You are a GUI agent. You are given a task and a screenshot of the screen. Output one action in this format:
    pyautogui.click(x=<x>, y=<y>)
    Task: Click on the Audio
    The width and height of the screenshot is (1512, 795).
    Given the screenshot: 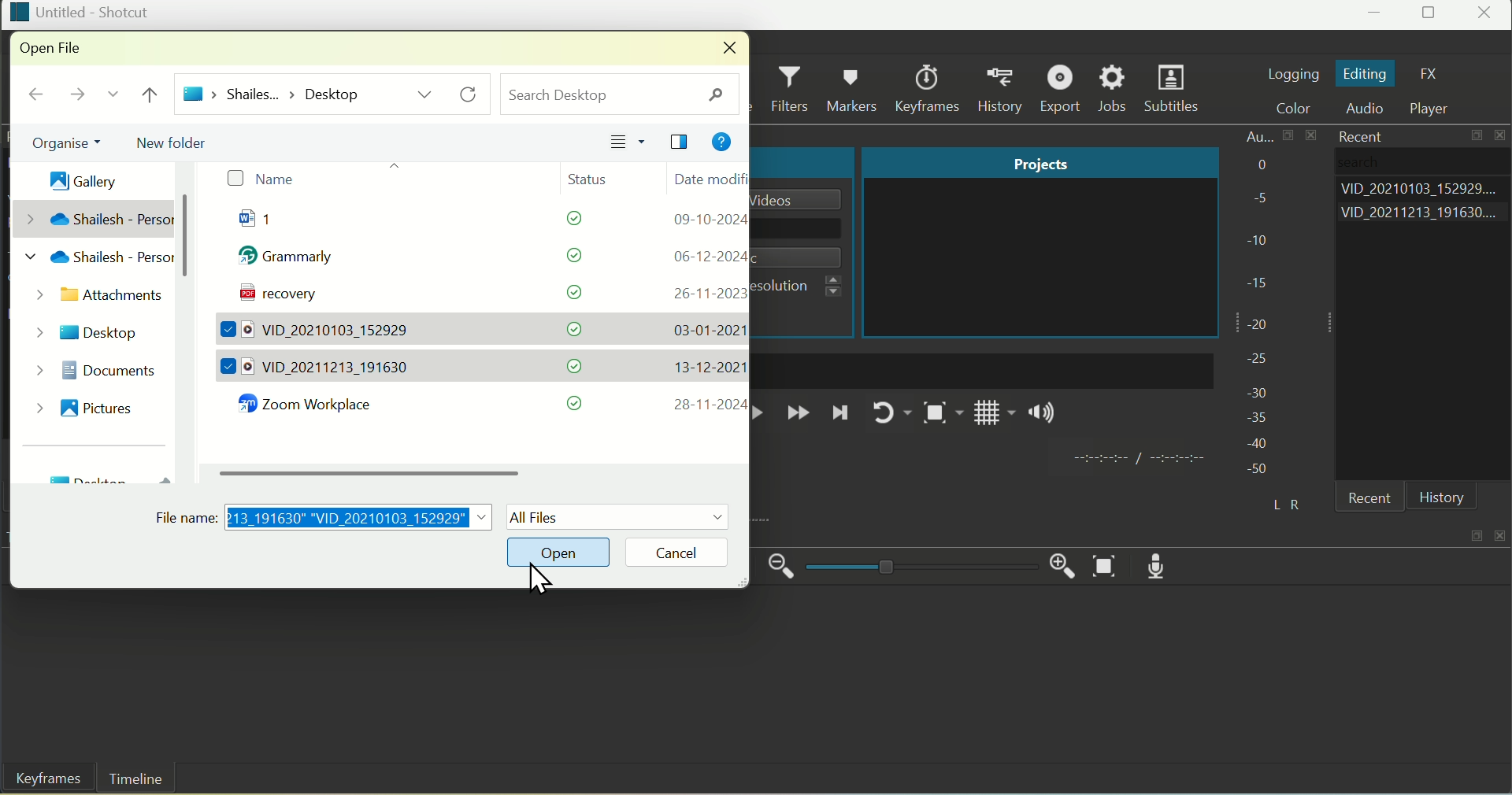 What is the action you would take?
    pyautogui.click(x=1370, y=109)
    